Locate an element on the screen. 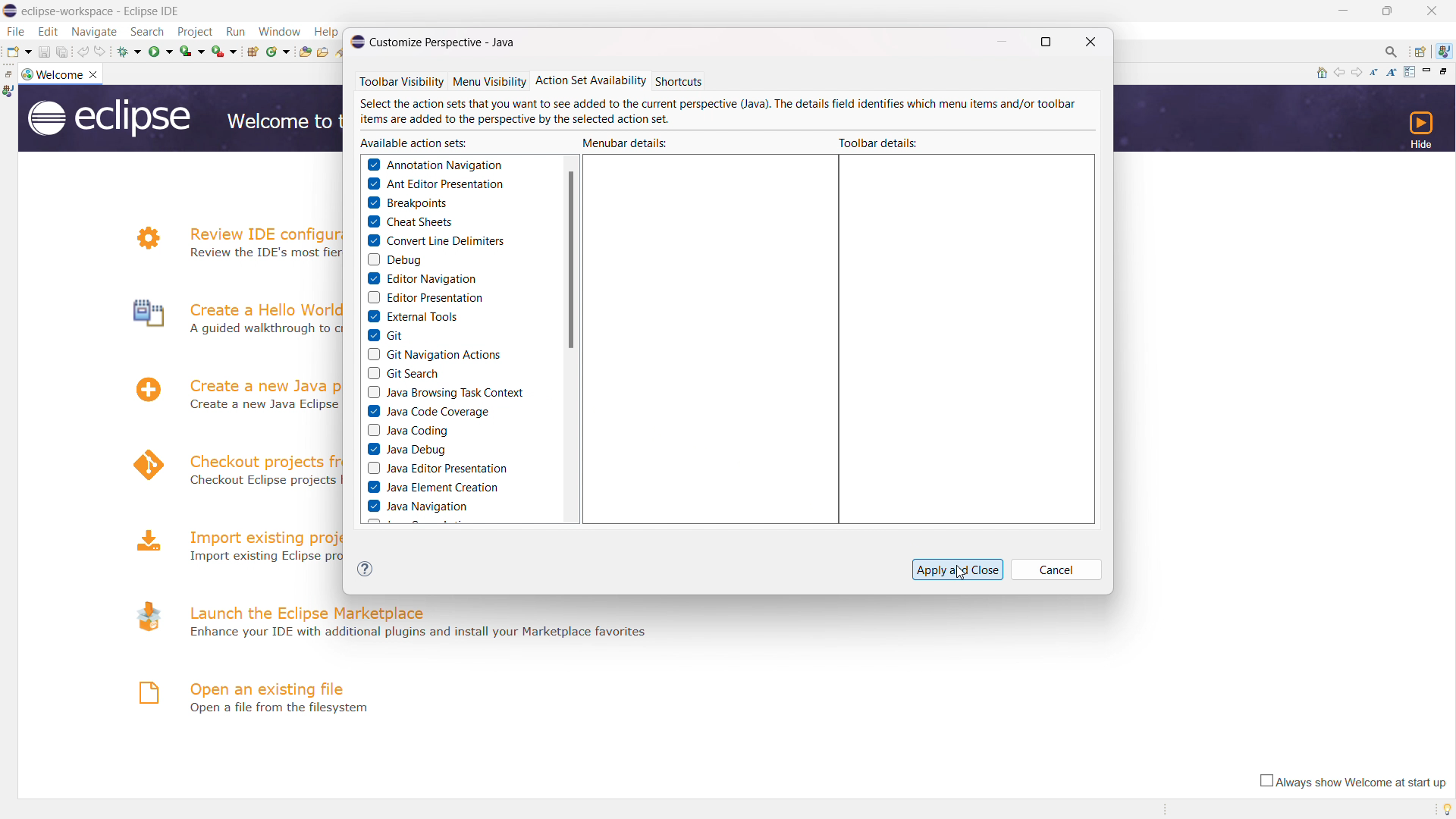  project is located at coordinates (196, 31).